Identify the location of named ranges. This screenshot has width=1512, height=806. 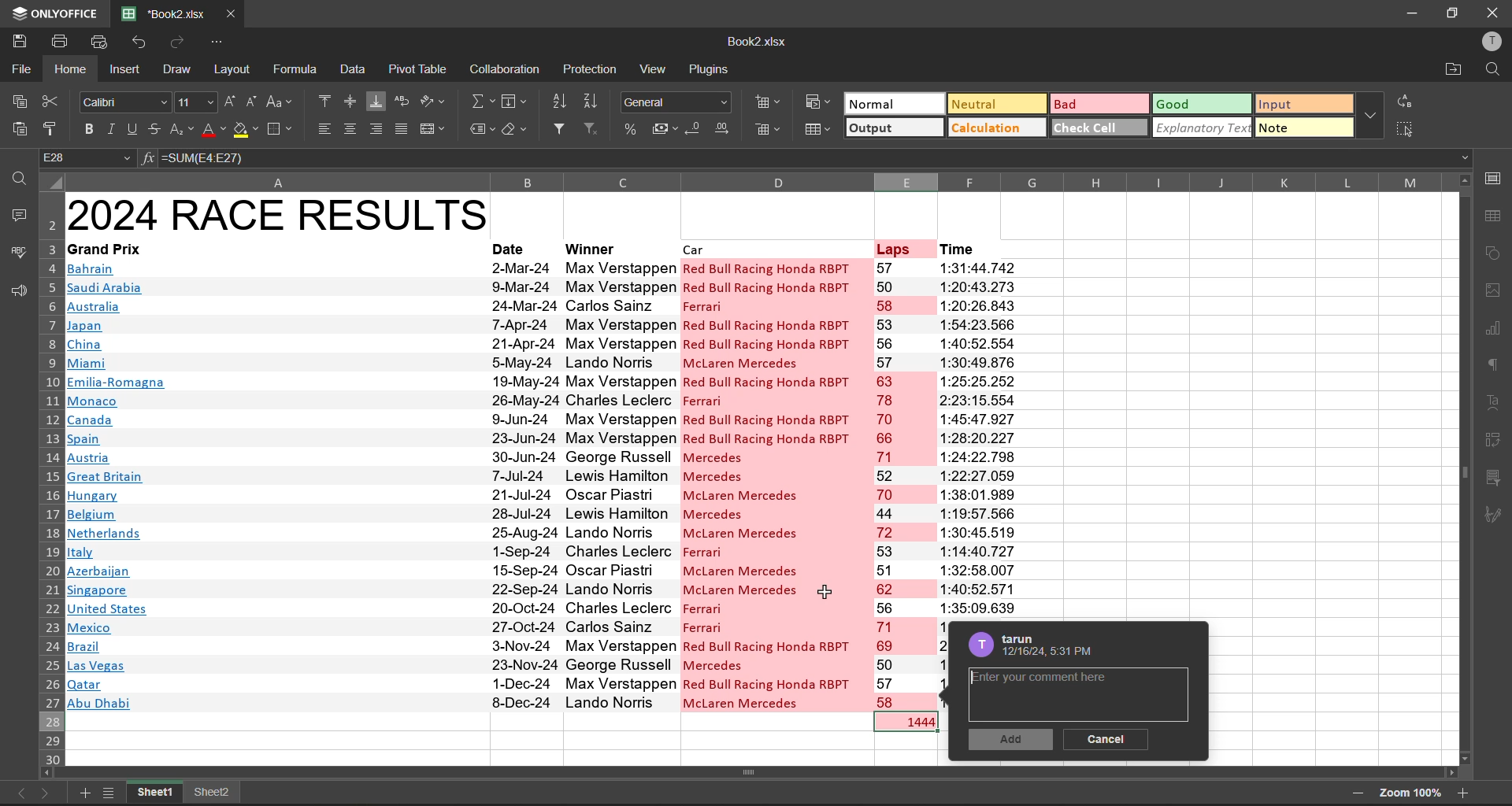
(481, 127).